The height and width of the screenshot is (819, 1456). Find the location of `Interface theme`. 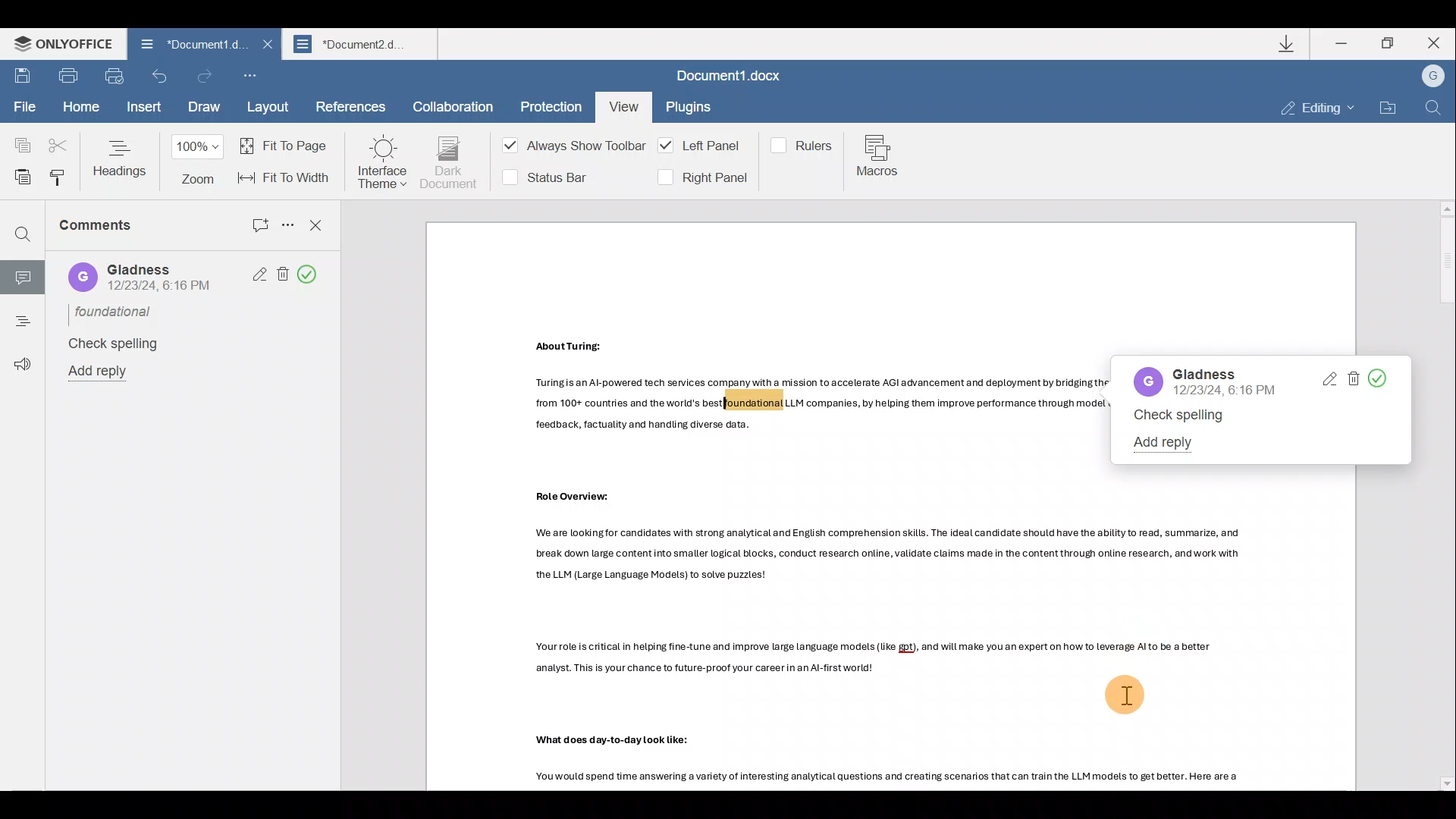

Interface theme is located at coordinates (382, 162).